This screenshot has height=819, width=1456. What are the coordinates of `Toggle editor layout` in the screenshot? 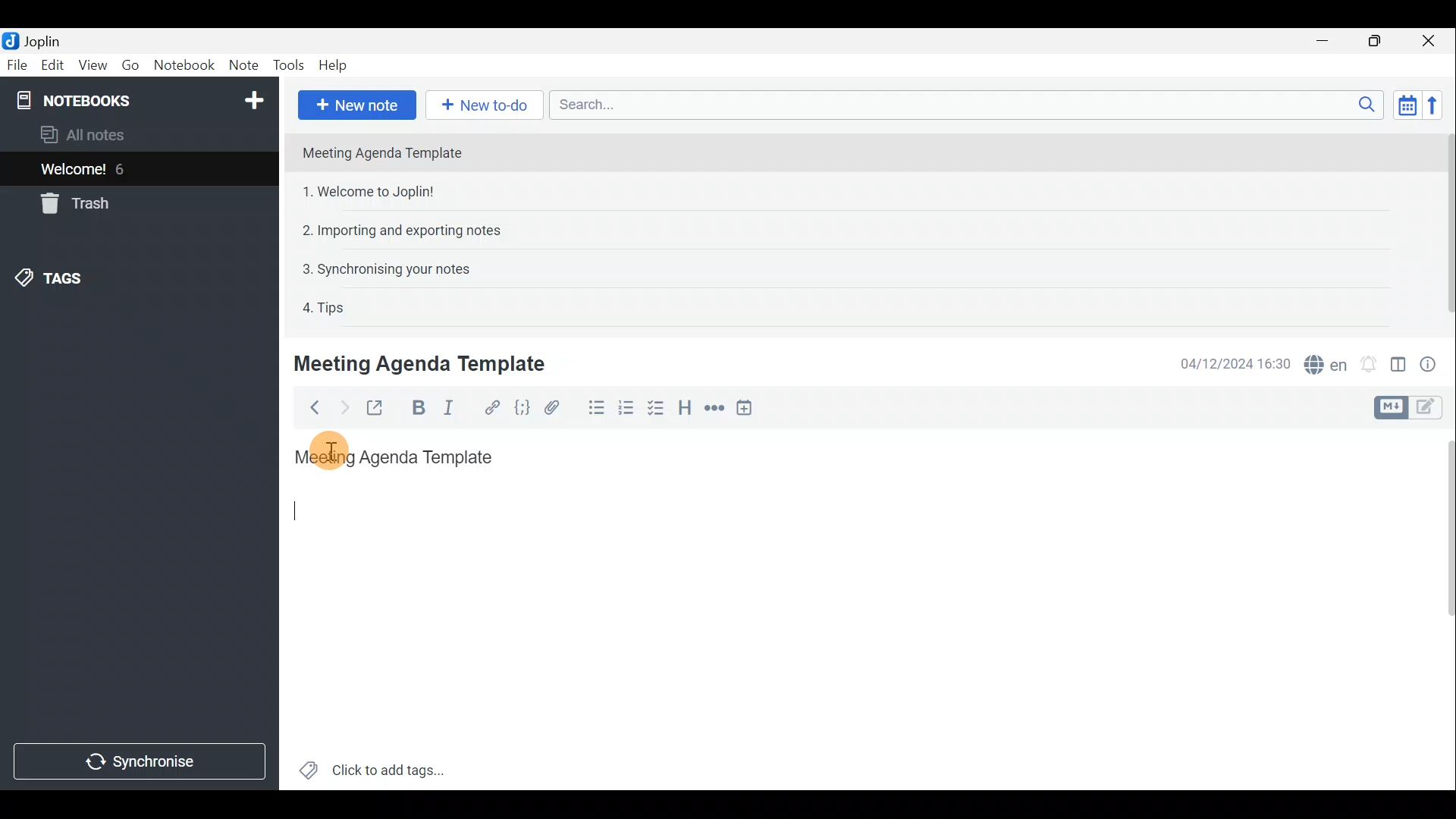 It's located at (1399, 367).